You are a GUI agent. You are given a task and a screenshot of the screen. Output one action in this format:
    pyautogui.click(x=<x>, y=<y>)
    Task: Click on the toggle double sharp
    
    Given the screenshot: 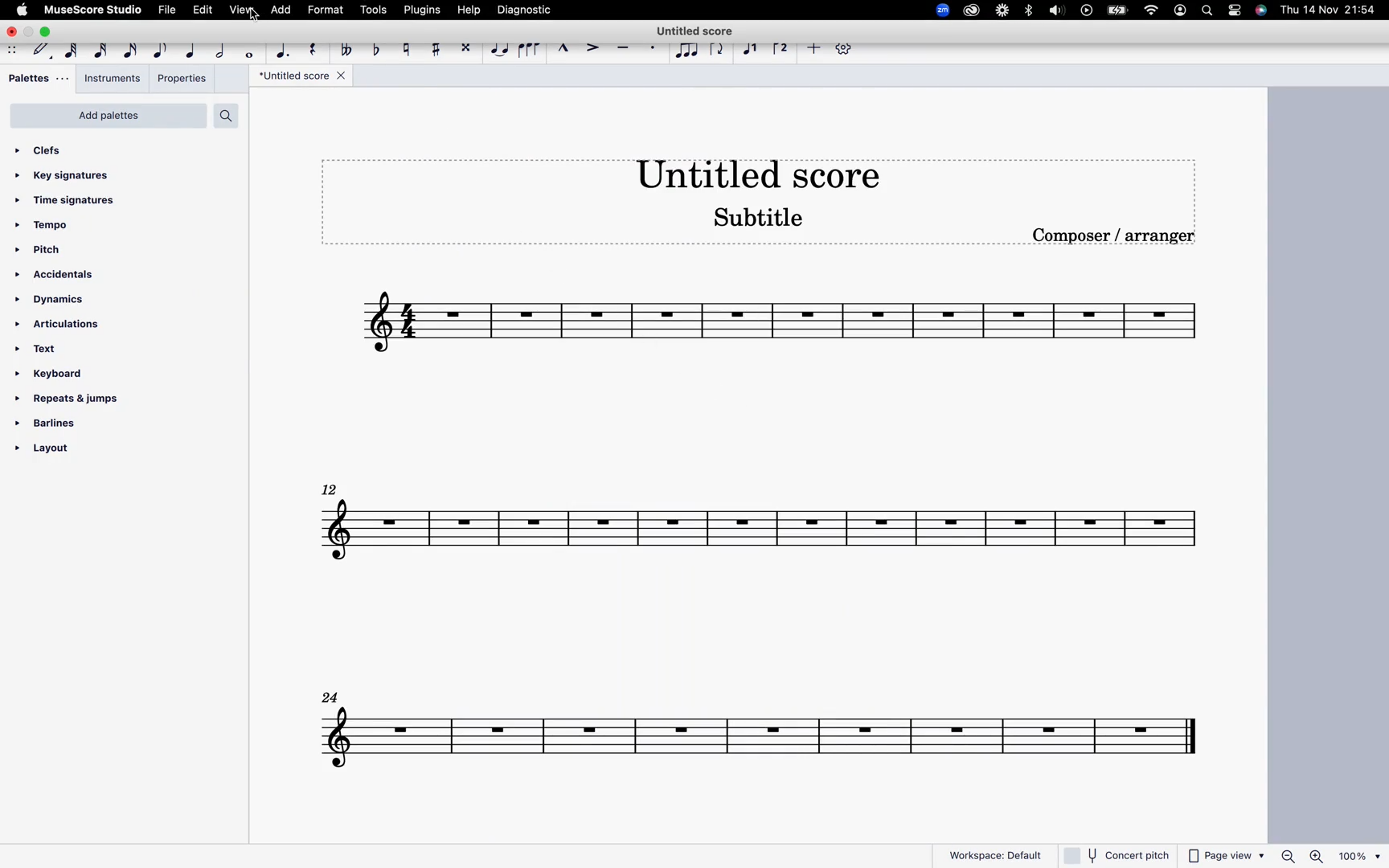 What is the action you would take?
    pyautogui.click(x=462, y=47)
    